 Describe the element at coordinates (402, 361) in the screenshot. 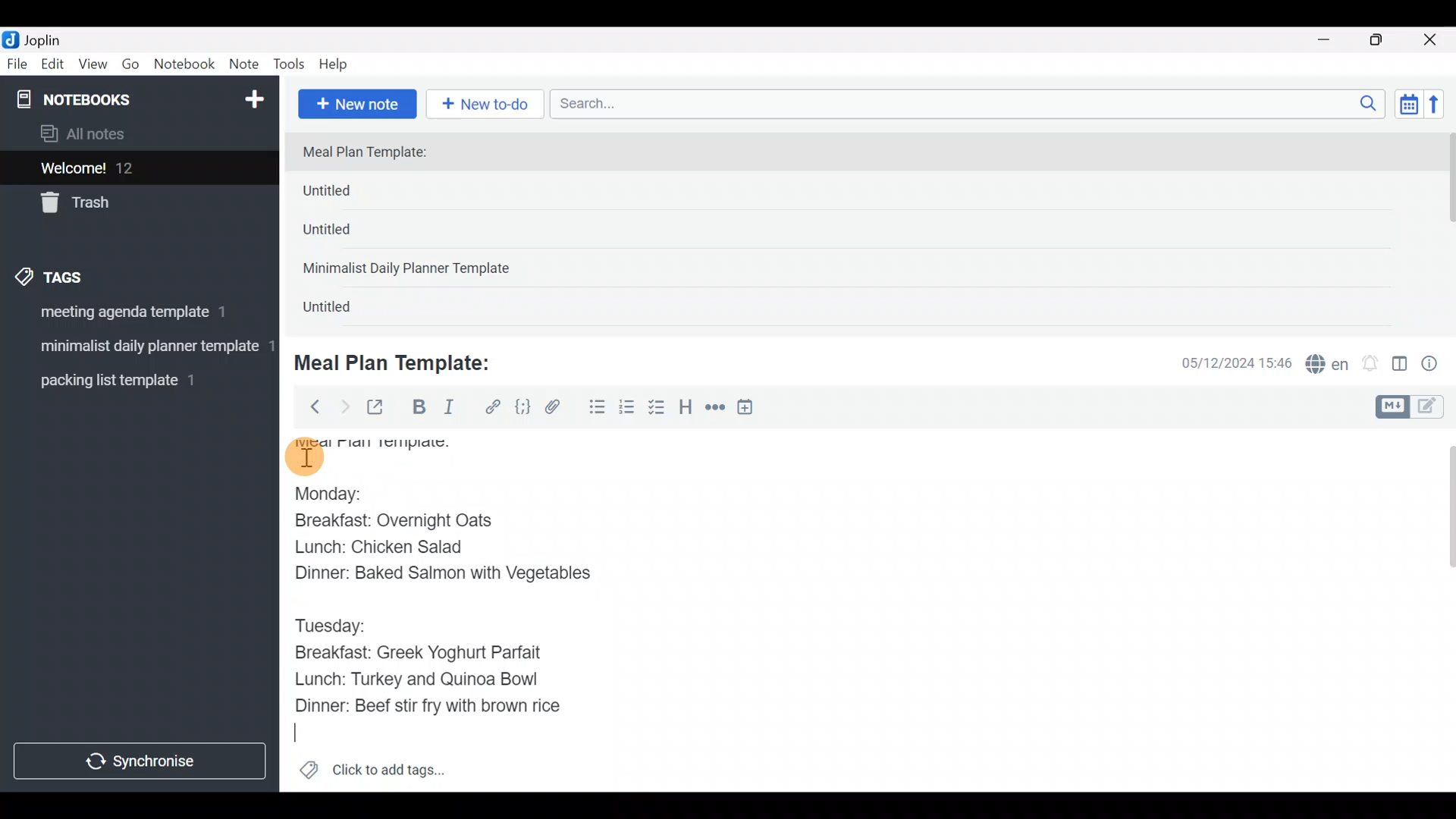

I see `Meal Plan Template:` at that location.